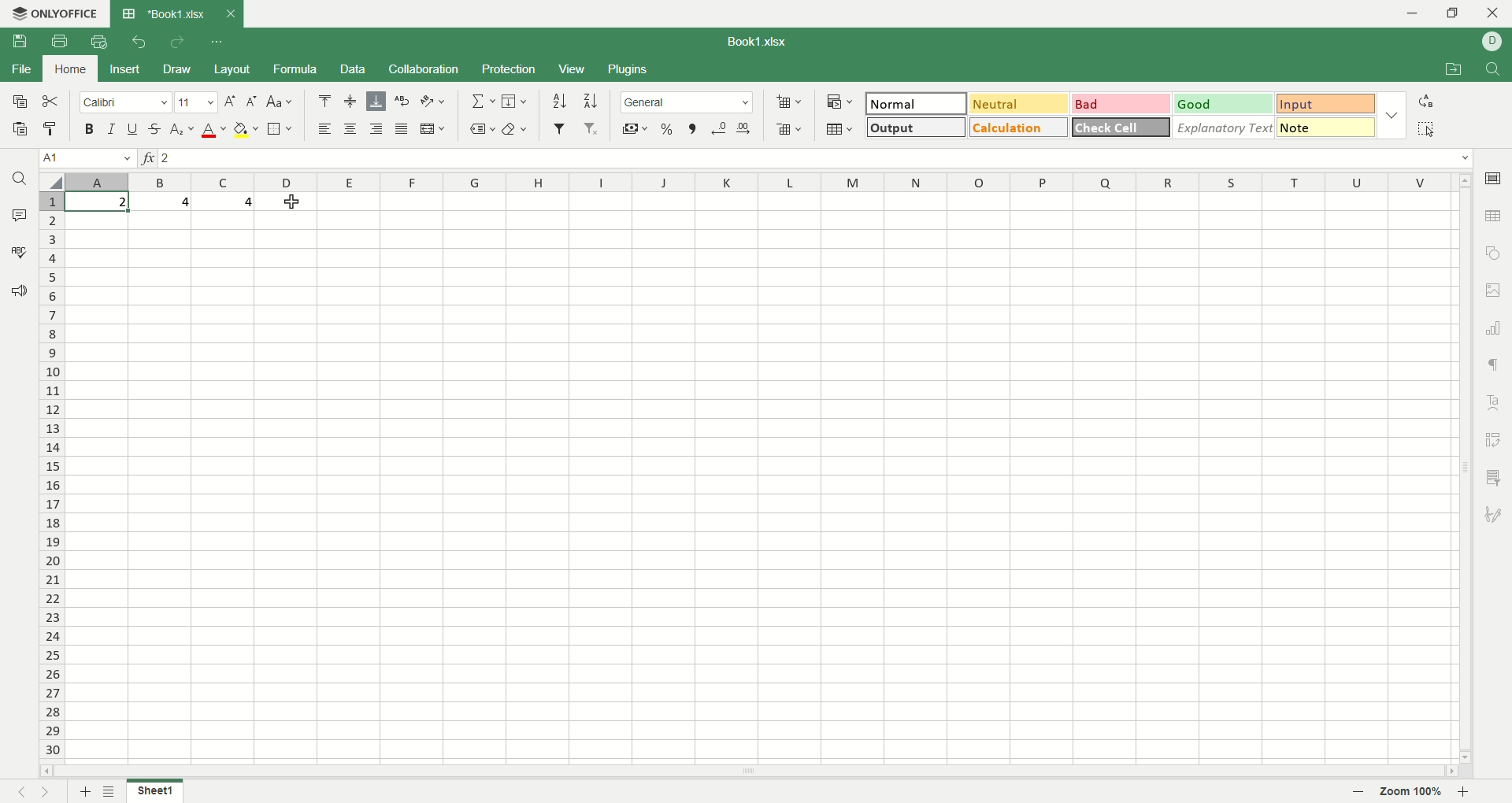 Image resolution: width=1512 pixels, height=803 pixels. I want to click on justified, so click(400, 130).